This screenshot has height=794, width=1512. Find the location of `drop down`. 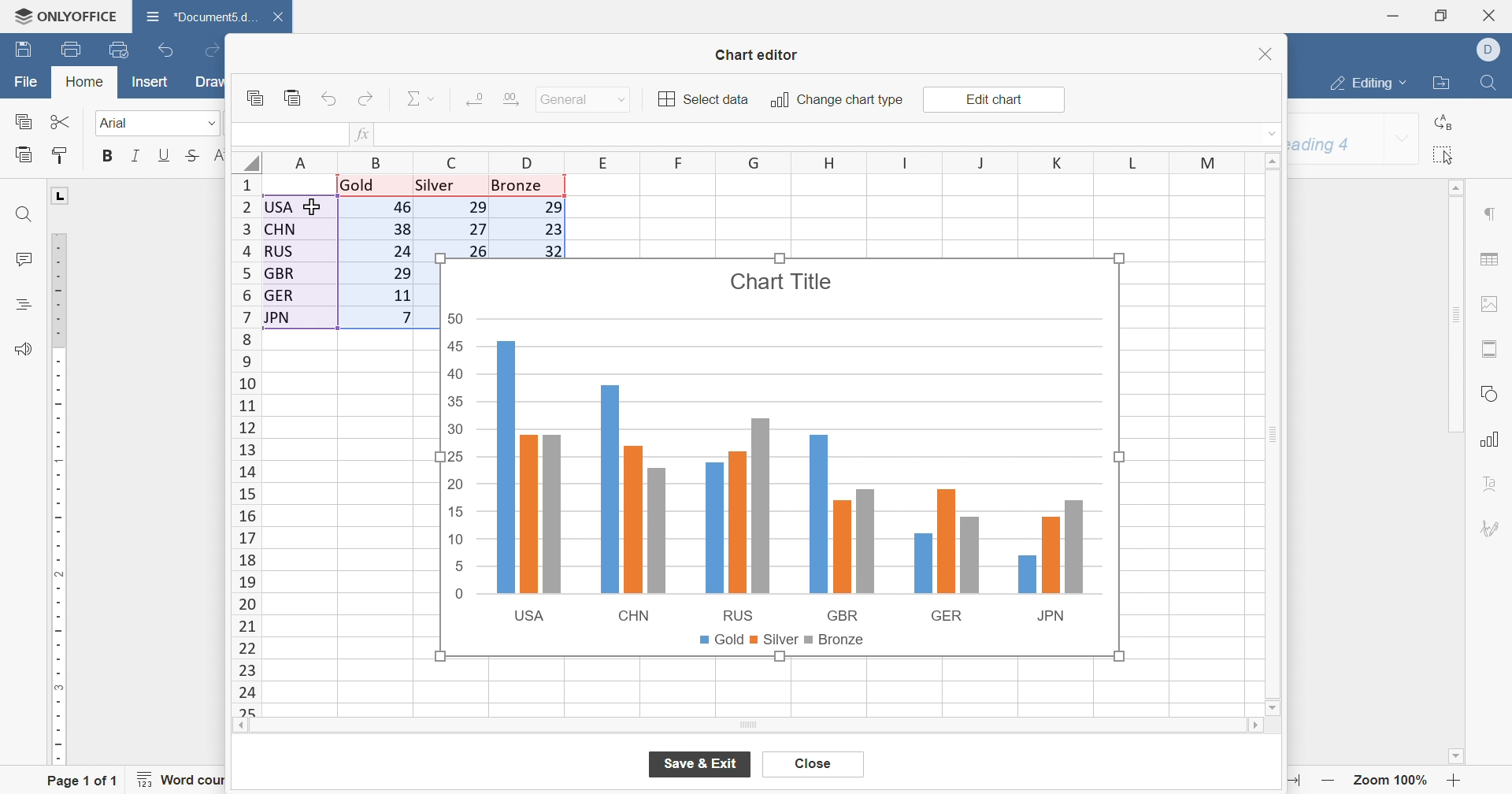

drop down is located at coordinates (211, 124).